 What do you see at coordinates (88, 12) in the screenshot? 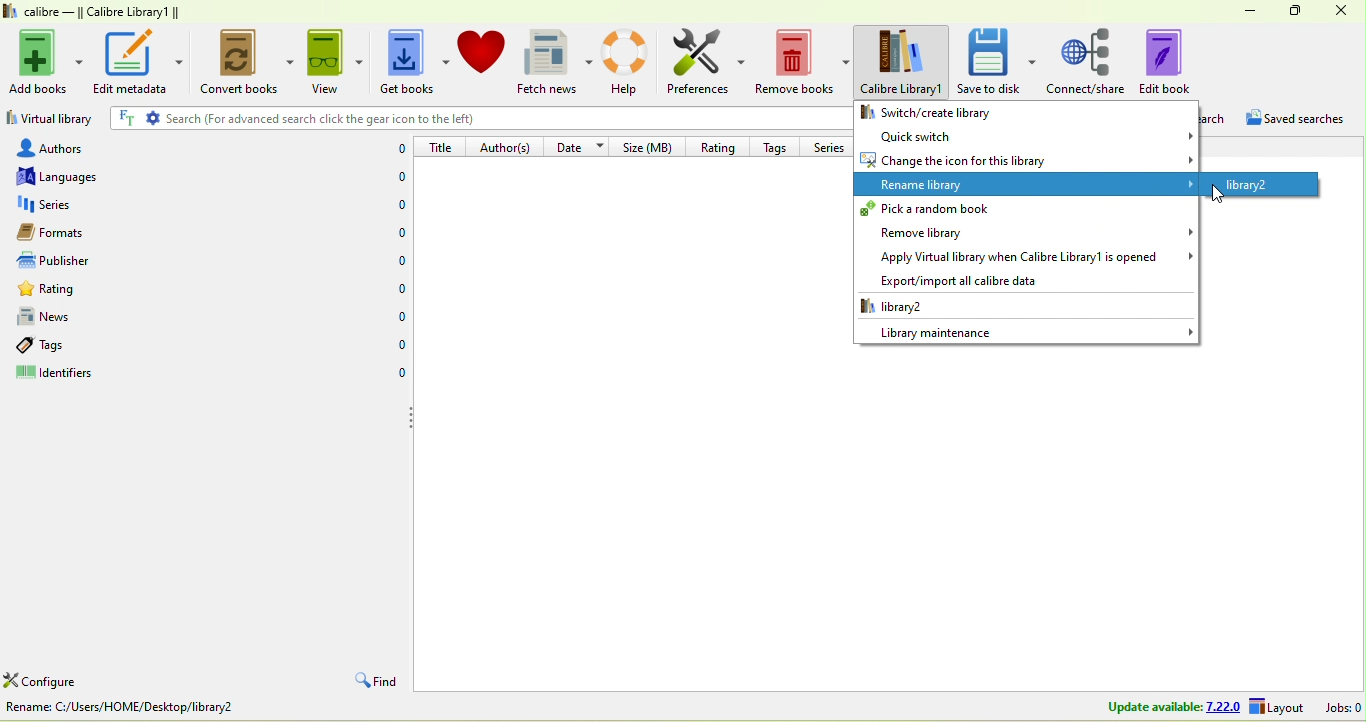
I see `calibre — Calibre Library` at bounding box center [88, 12].